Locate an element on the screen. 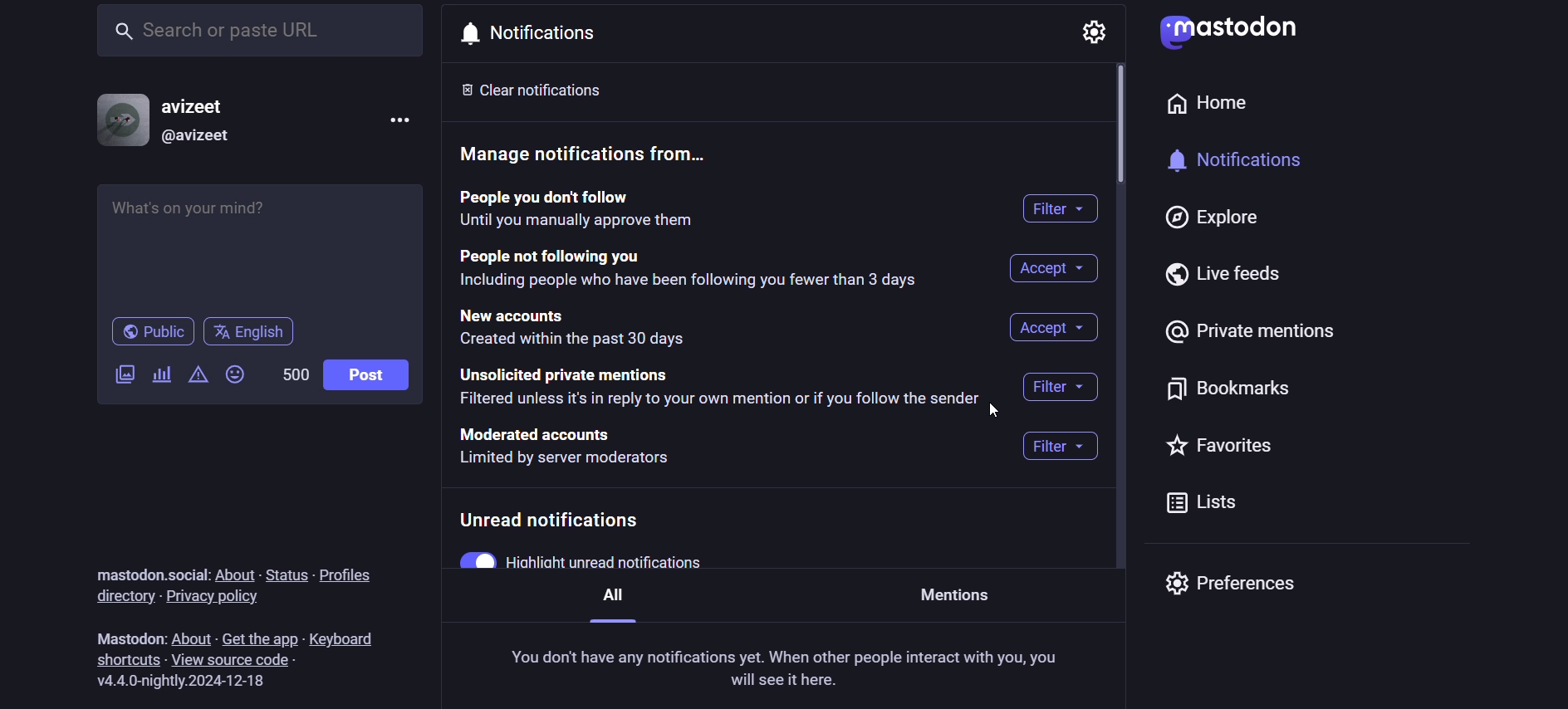 The image size is (1568, 709). New accounts
Created within the past 30 days is located at coordinates (571, 326).